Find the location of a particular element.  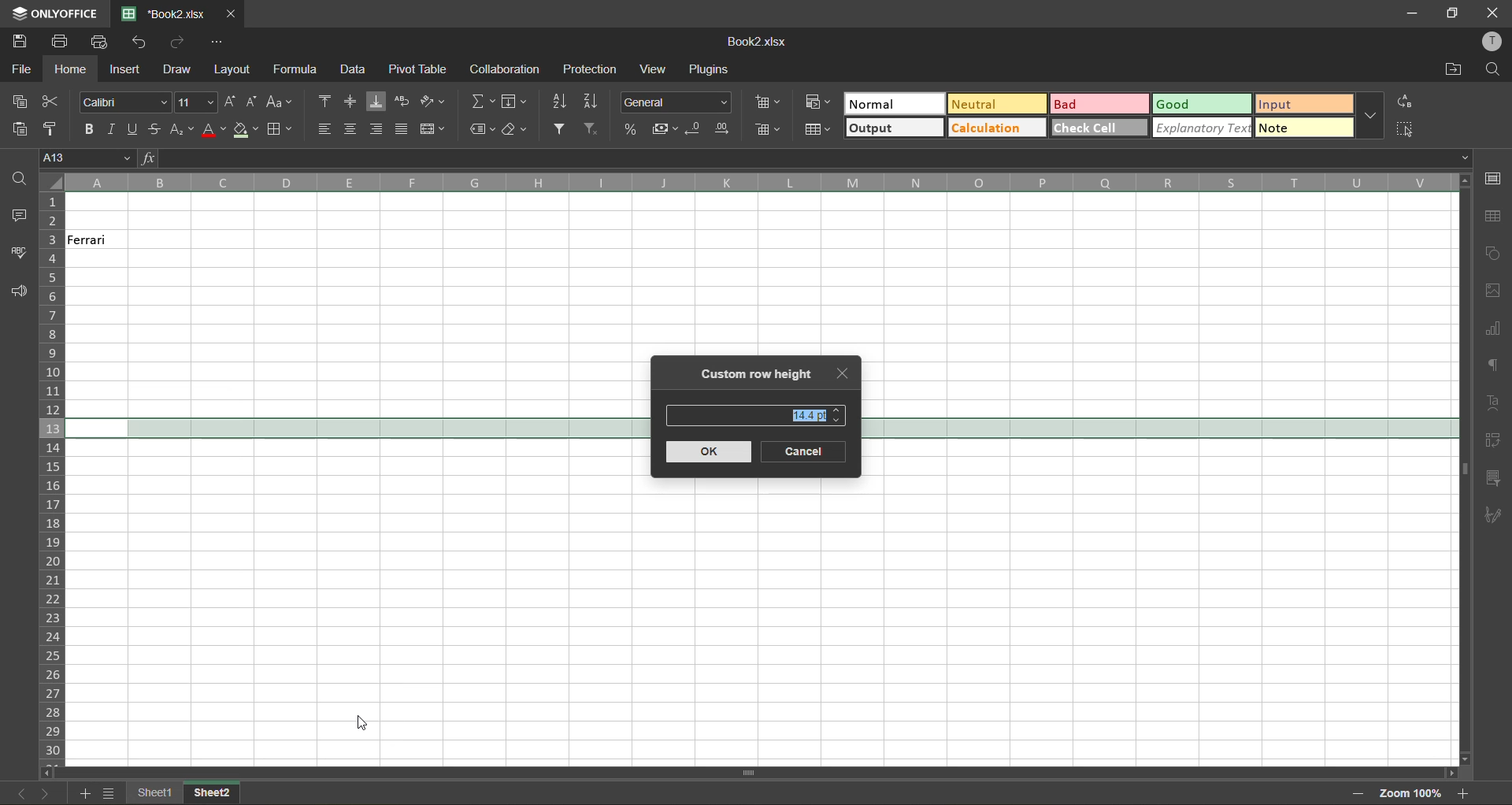

pivot table is located at coordinates (1495, 440).